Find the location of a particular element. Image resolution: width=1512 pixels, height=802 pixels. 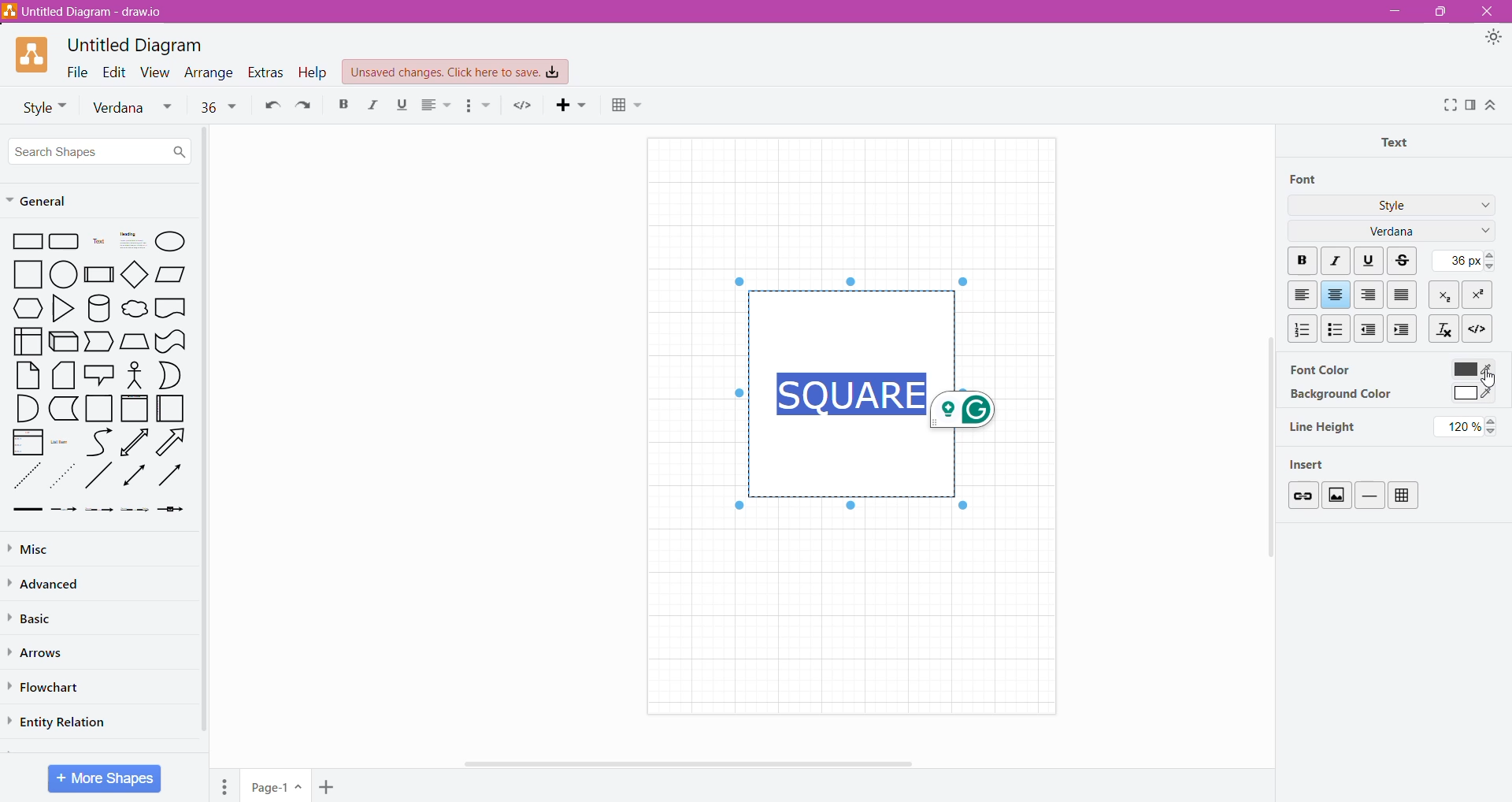

Square  is located at coordinates (98, 408).